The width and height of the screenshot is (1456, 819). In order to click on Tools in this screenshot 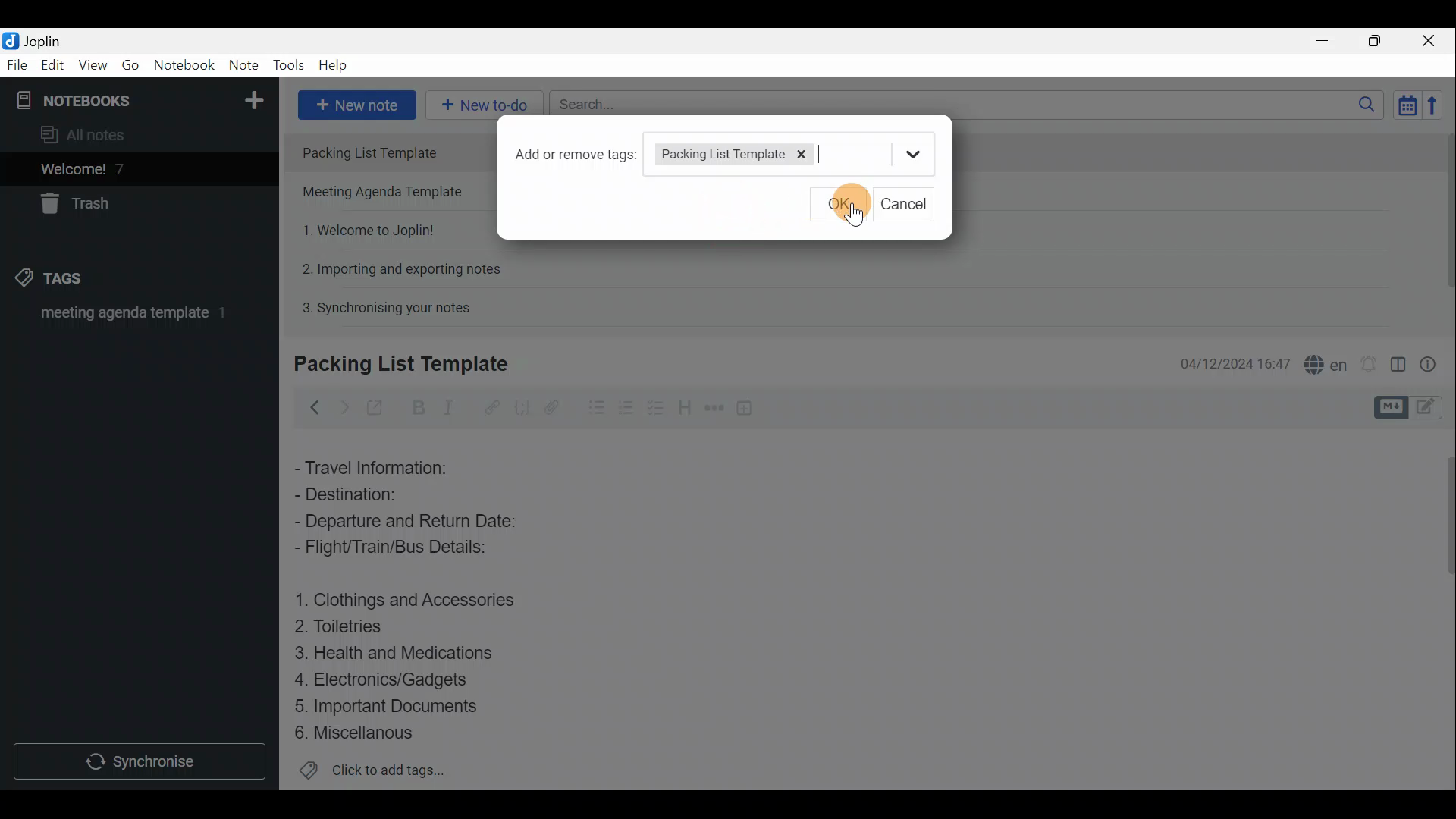, I will do `click(290, 66)`.